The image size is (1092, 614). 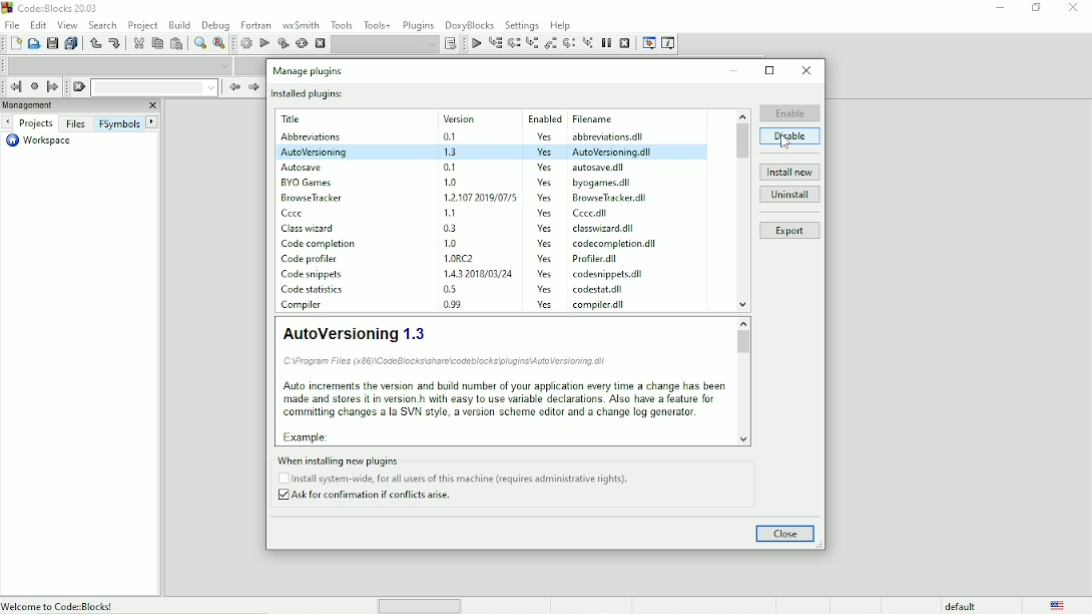 What do you see at coordinates (137, 43) in the screenshot?
I see `Cut` at bounding box center [137, 43].